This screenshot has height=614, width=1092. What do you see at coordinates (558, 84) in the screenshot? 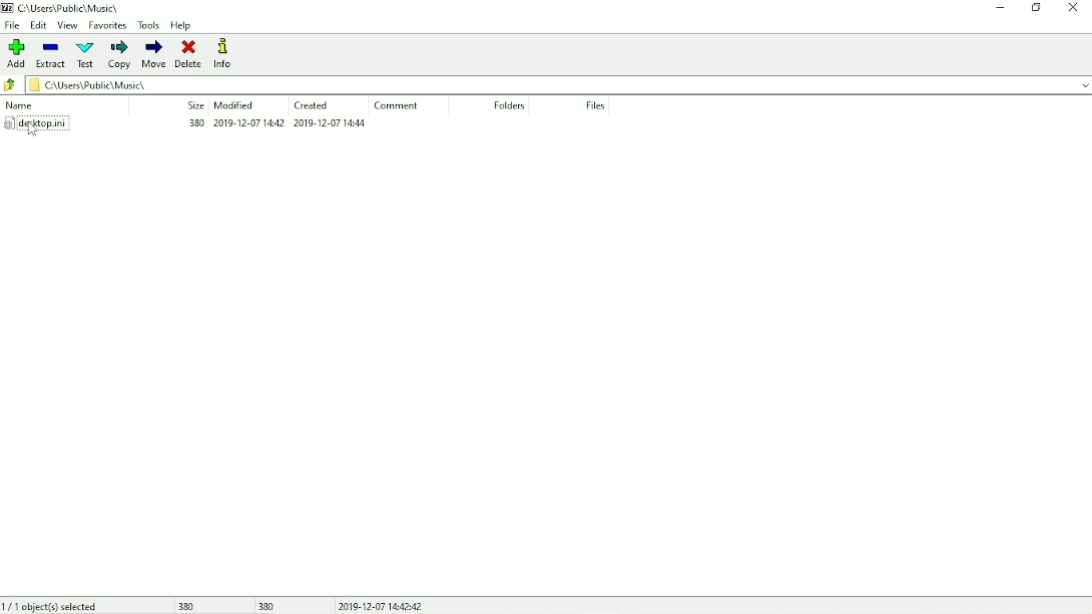
I see `File location` at bounding box center [558, 84].